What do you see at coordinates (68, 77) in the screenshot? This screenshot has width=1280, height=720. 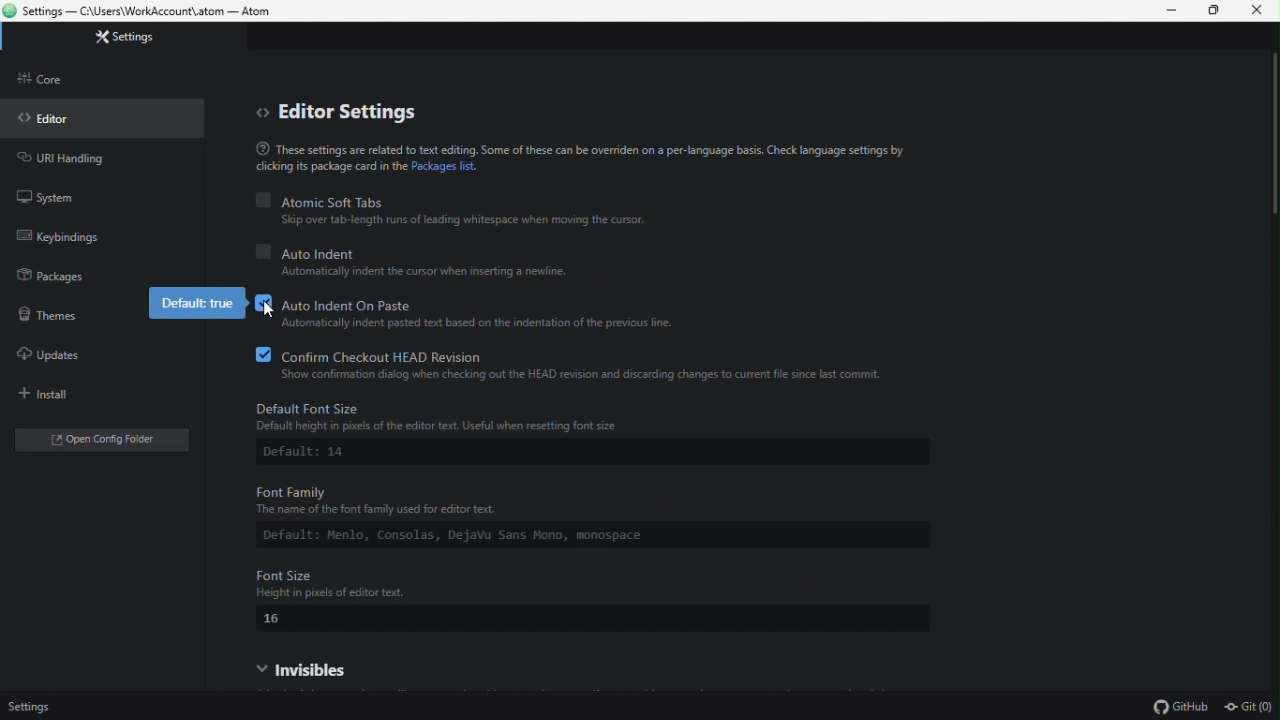 I see `Core ` at bounding box center [68, 77].